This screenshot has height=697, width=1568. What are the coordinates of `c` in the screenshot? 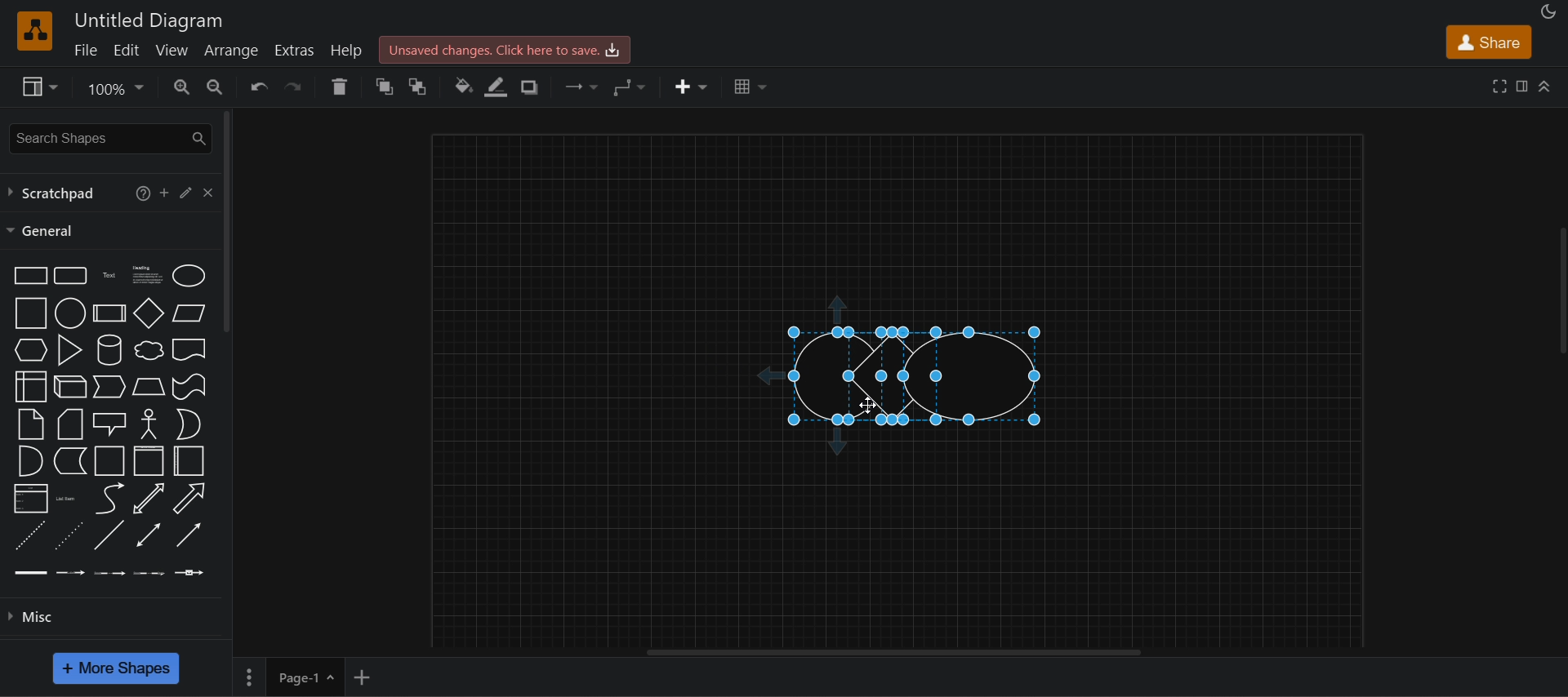 It's located at (207, 190).